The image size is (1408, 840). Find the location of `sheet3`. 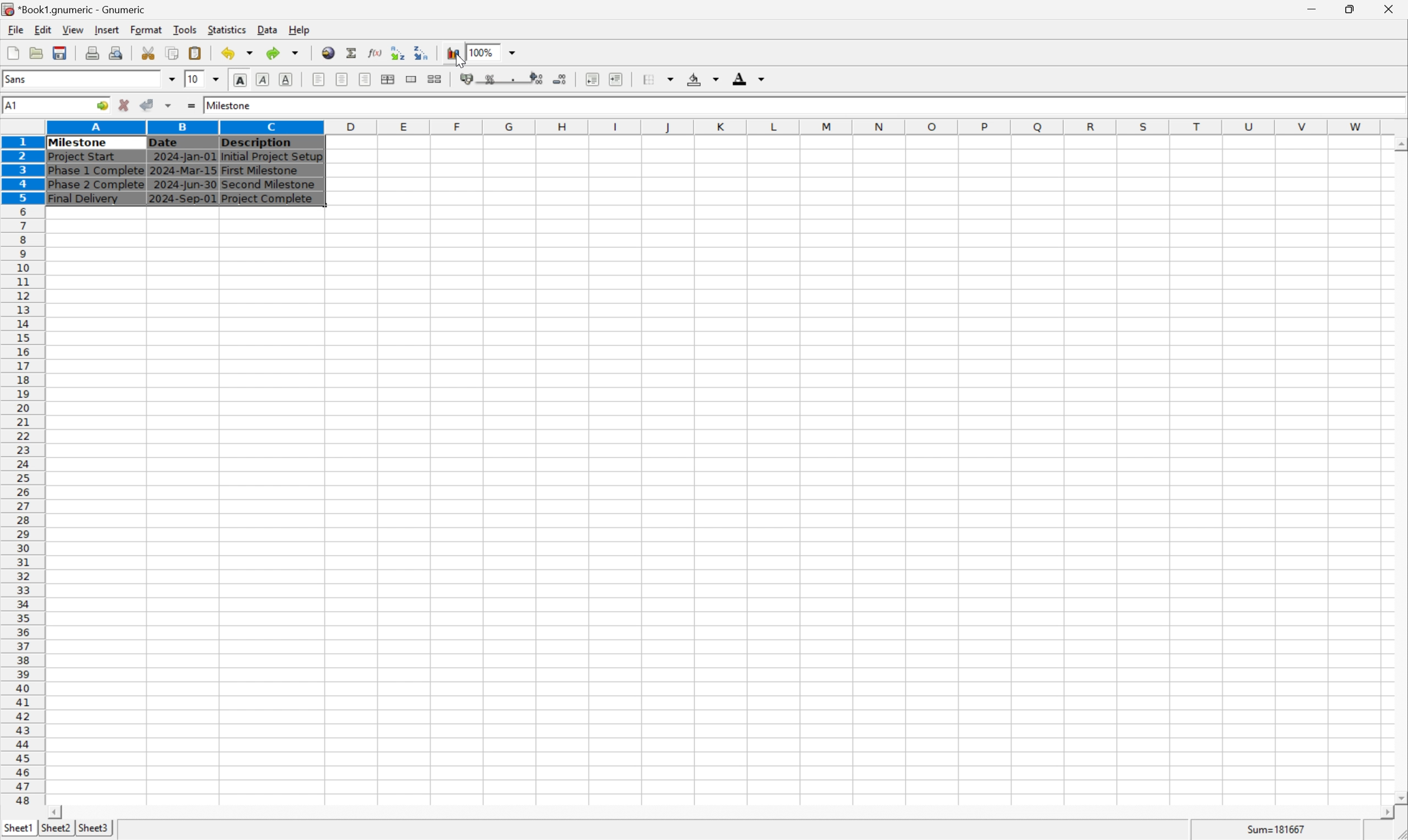

sheet3 is located at coordinates (93, 831).